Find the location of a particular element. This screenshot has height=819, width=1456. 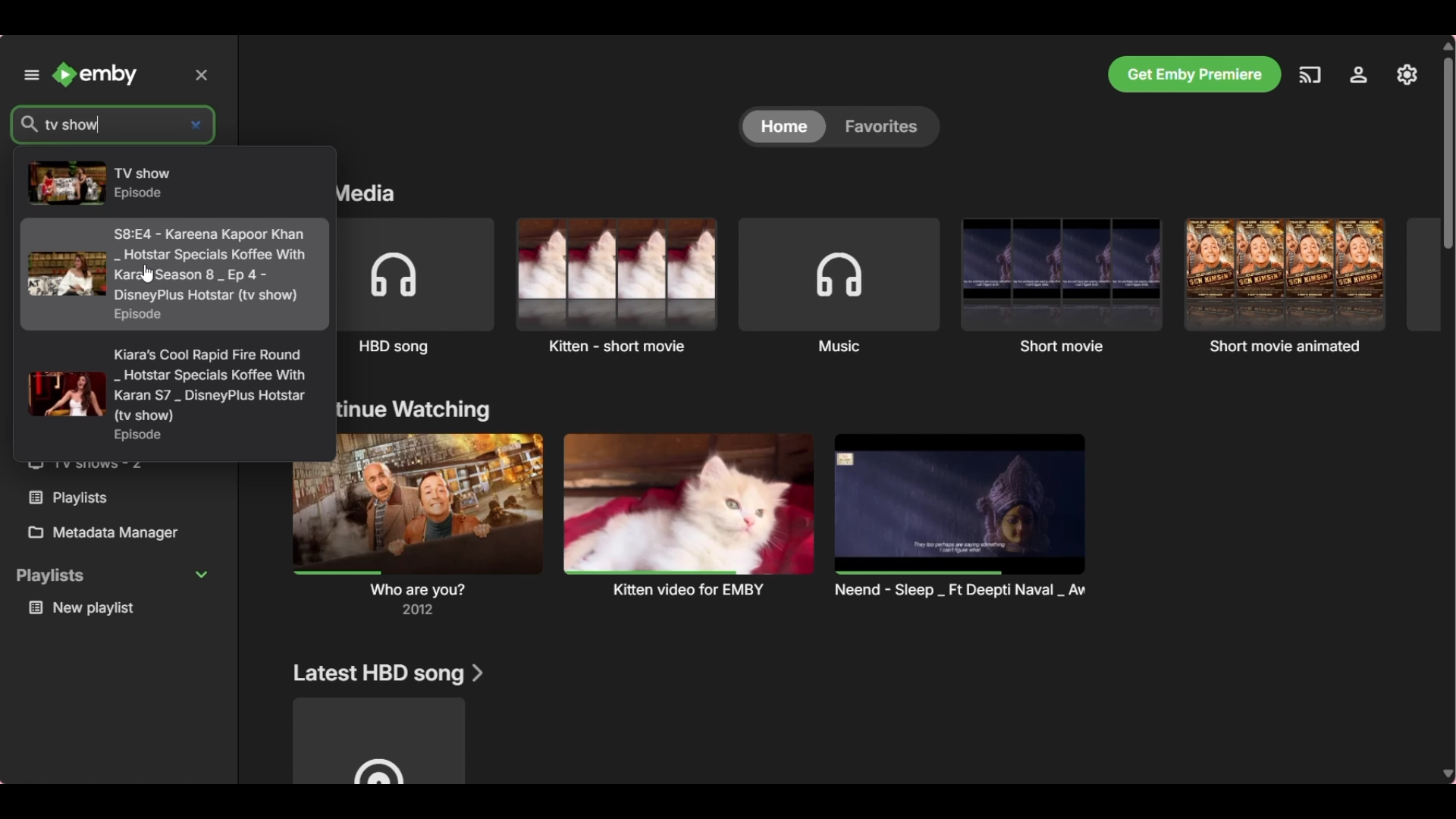

Get Emby premiere is located at coordinates (1194, 74).